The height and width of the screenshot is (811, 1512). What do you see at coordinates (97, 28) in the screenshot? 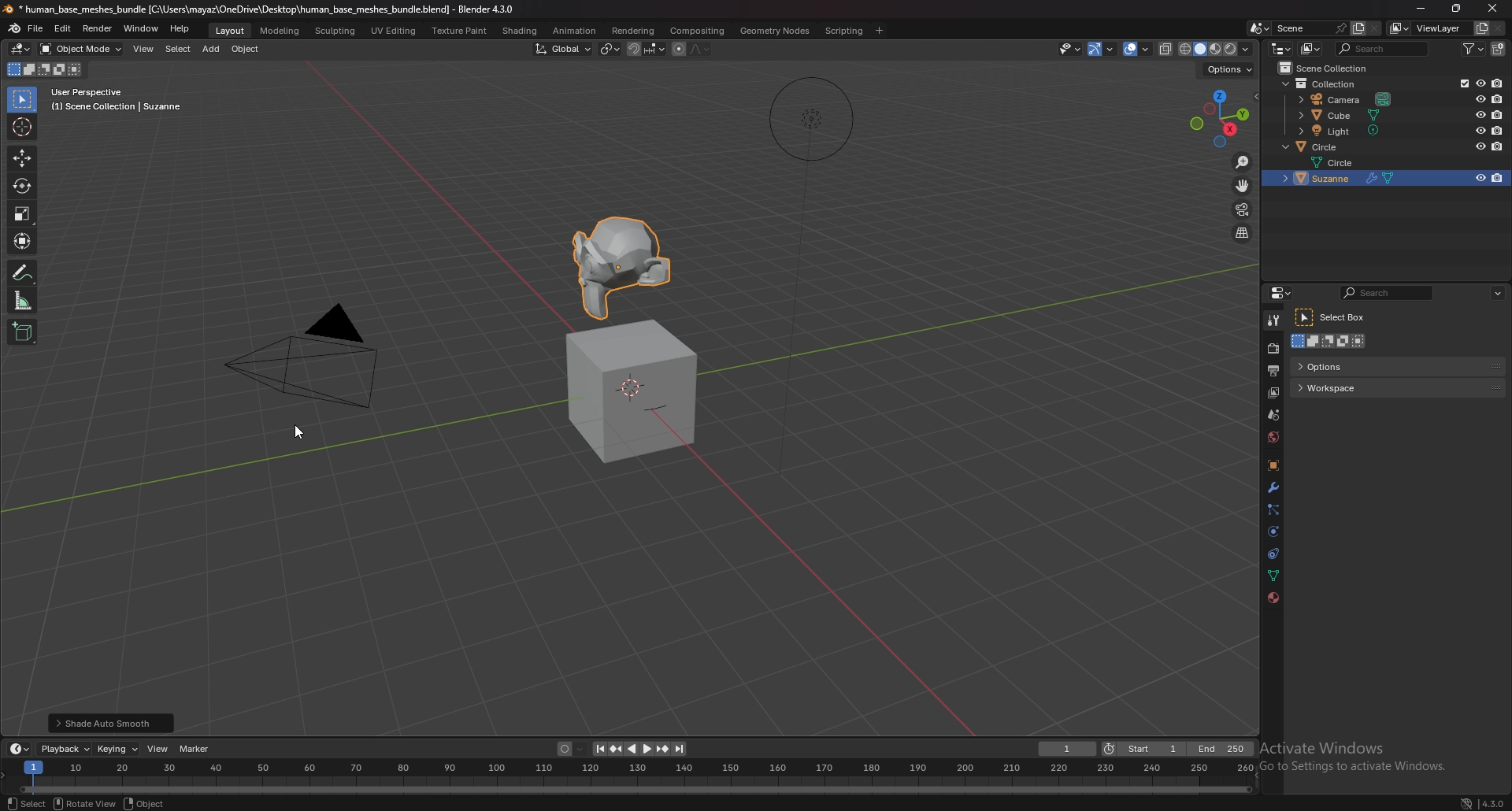
I see `render` at bounding box center [97, 28].